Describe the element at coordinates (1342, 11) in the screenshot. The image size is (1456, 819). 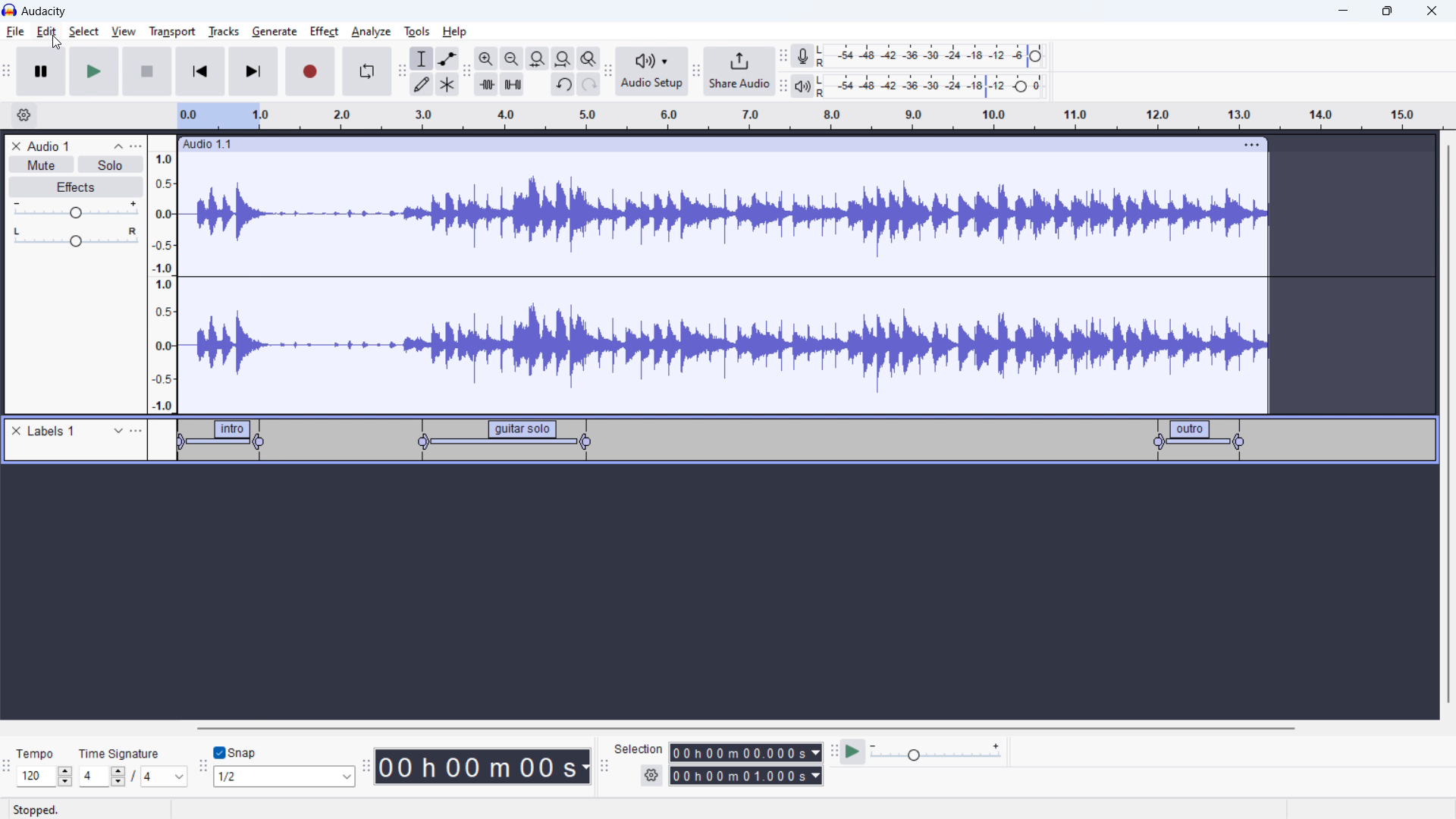
I see `minimize` at that location.